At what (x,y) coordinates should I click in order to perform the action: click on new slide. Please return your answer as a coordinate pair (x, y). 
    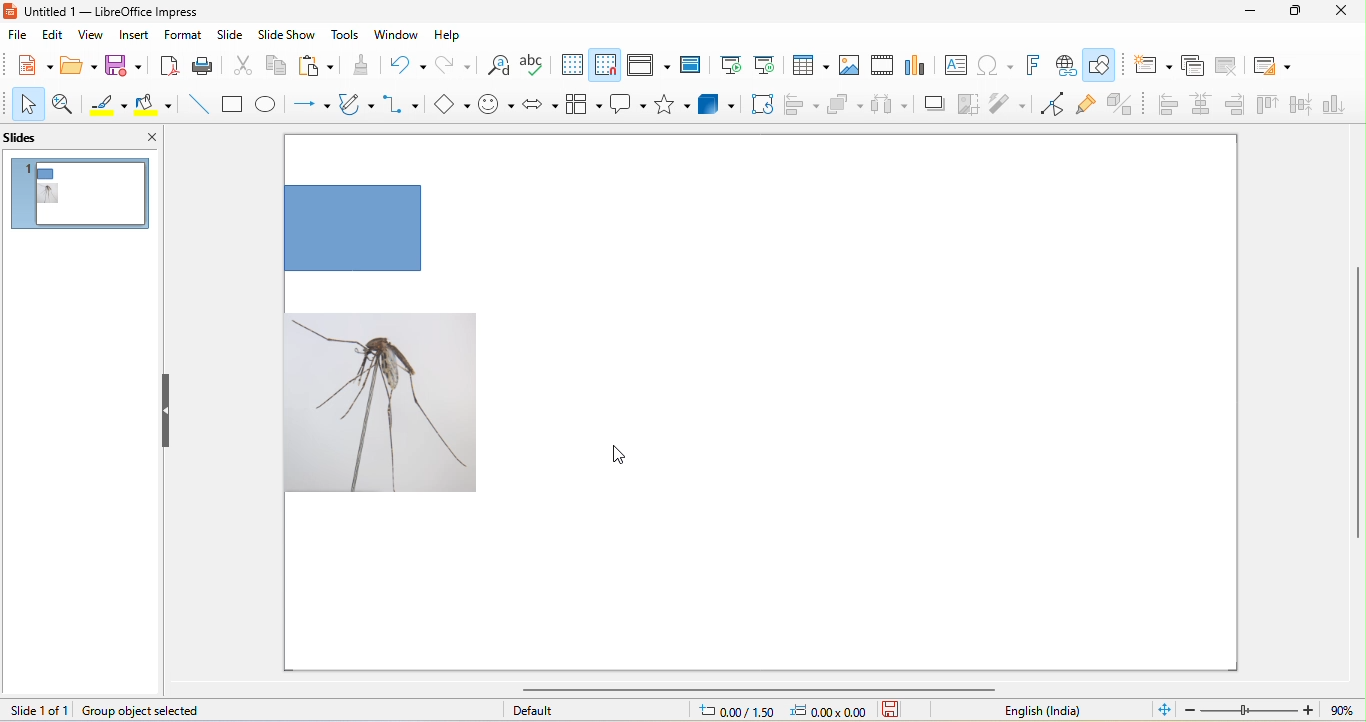
    Looking at the image, I should click on (1148, 68).